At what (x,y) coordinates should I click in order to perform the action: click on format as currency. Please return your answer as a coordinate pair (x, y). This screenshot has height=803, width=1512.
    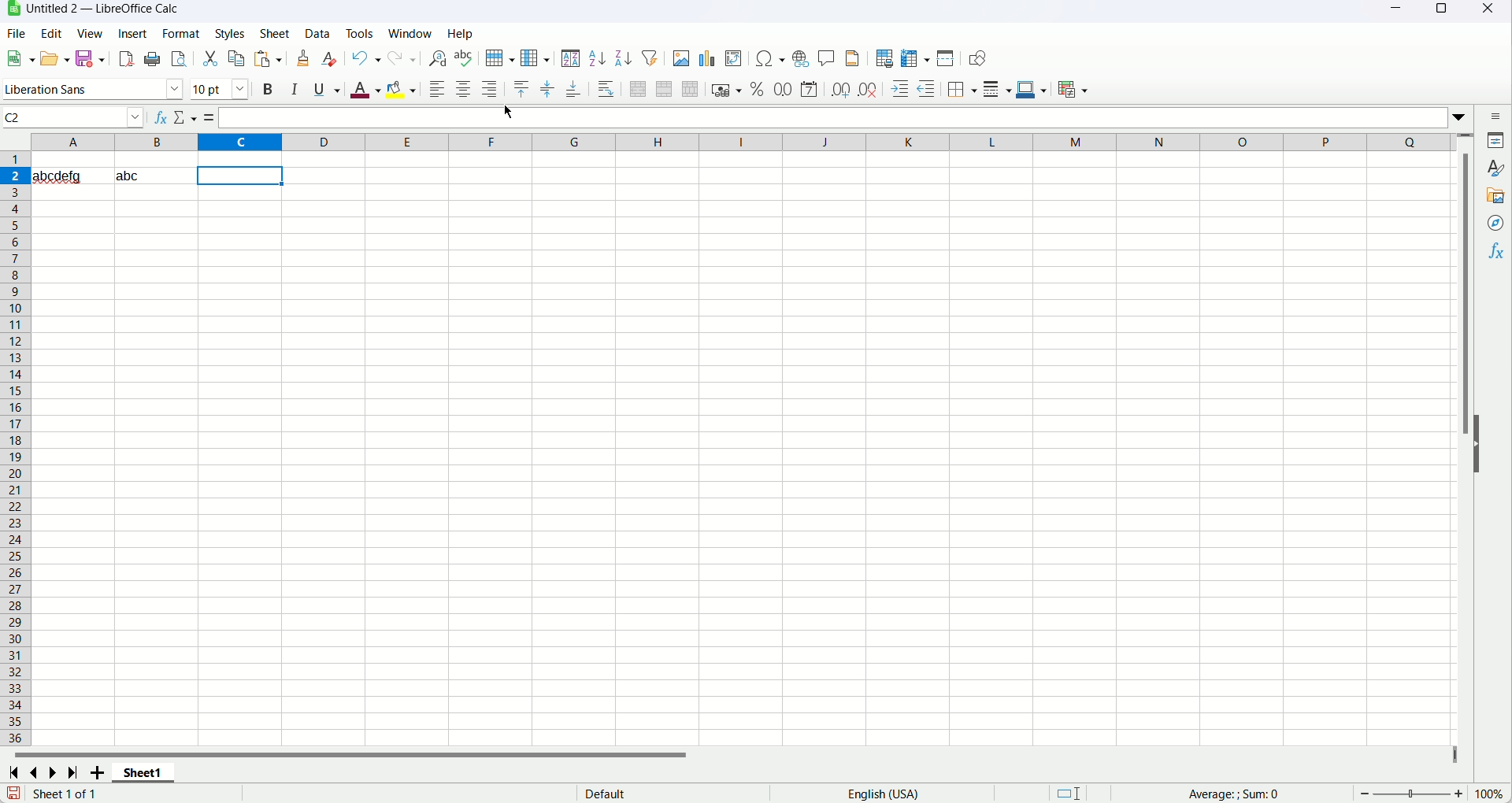
    Looking at the image, I should click on (726, 90).